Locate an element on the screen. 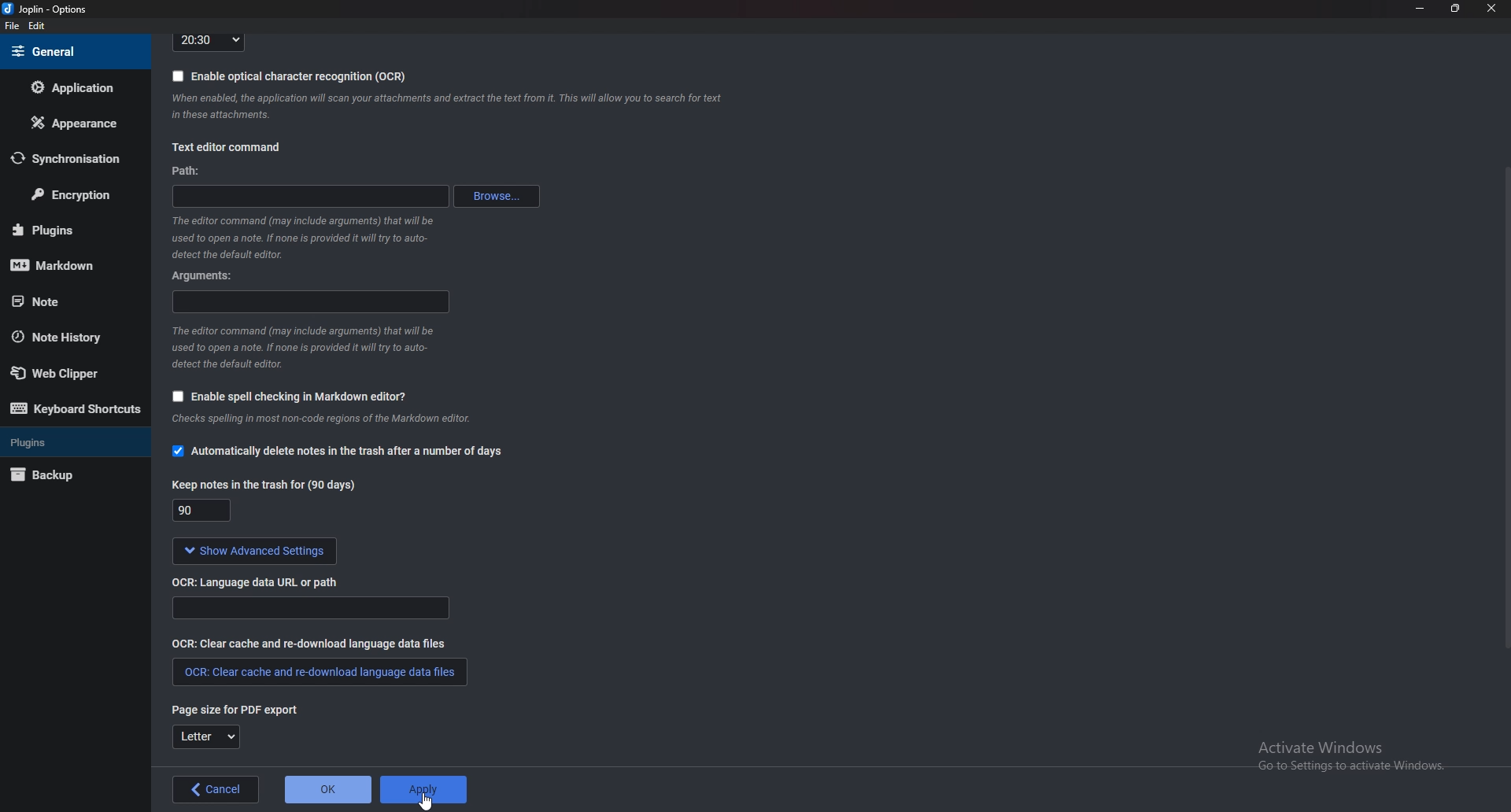 This screenshot has width=1511, height=812. close is located at coordinates (1489, 8).